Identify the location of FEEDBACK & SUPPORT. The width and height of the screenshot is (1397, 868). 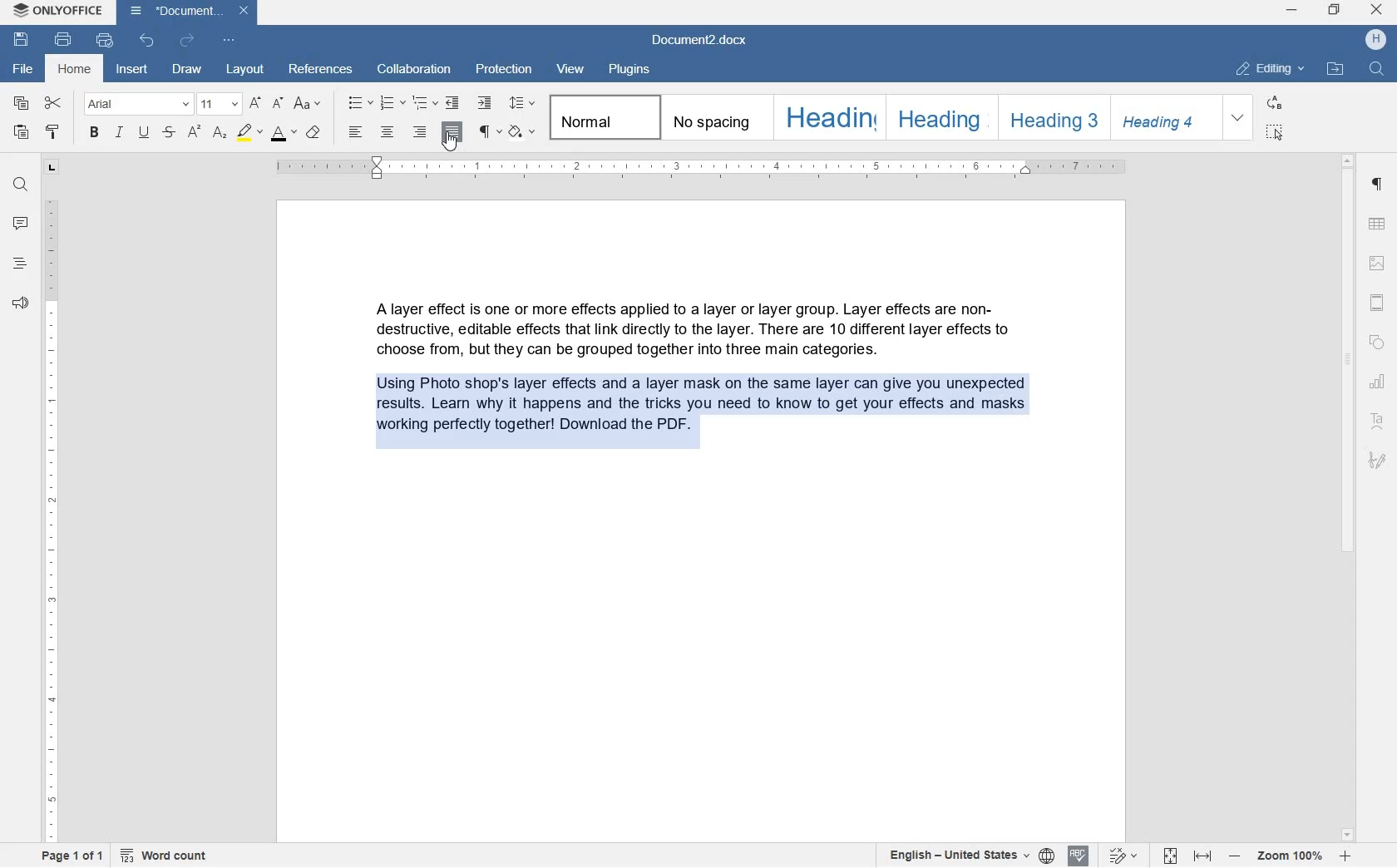
(21, 304).